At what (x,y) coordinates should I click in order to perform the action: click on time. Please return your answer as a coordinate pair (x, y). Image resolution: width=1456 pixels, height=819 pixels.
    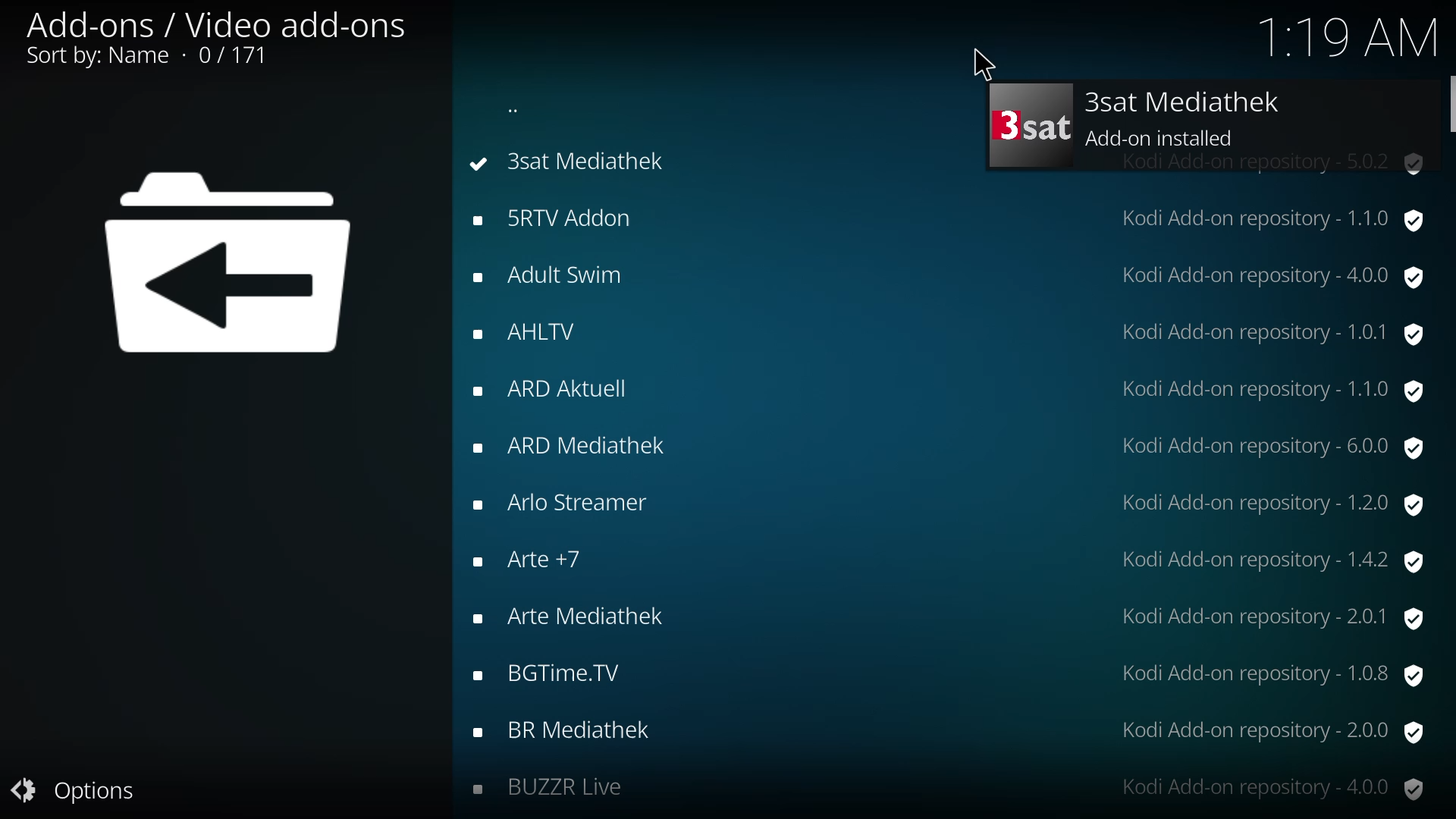
    Looking at the image, I should click on (1344, 37).